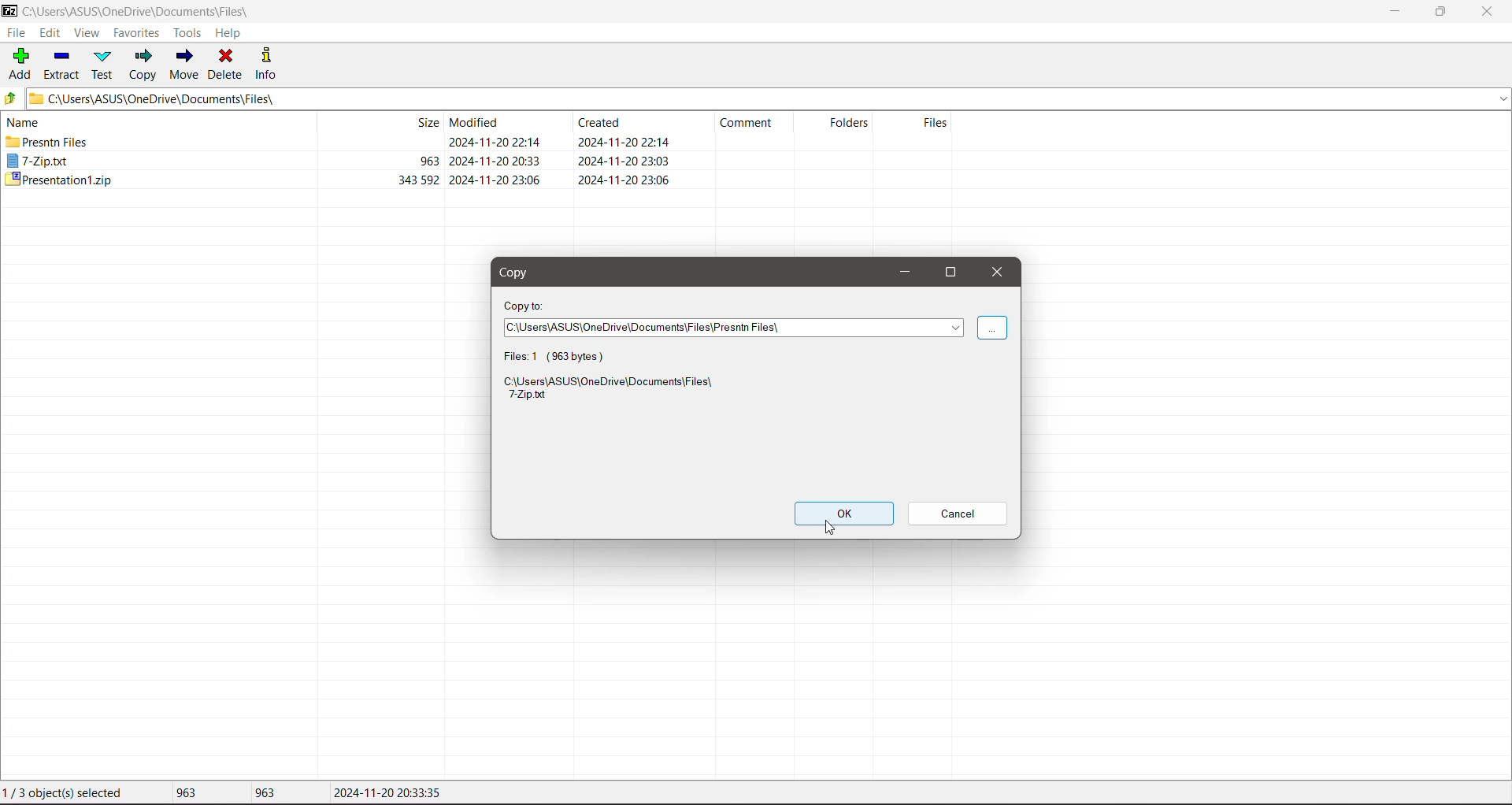  Describe the element at coordinates (48, 142) in the screenshot. I see `Presntn Files` at that location.